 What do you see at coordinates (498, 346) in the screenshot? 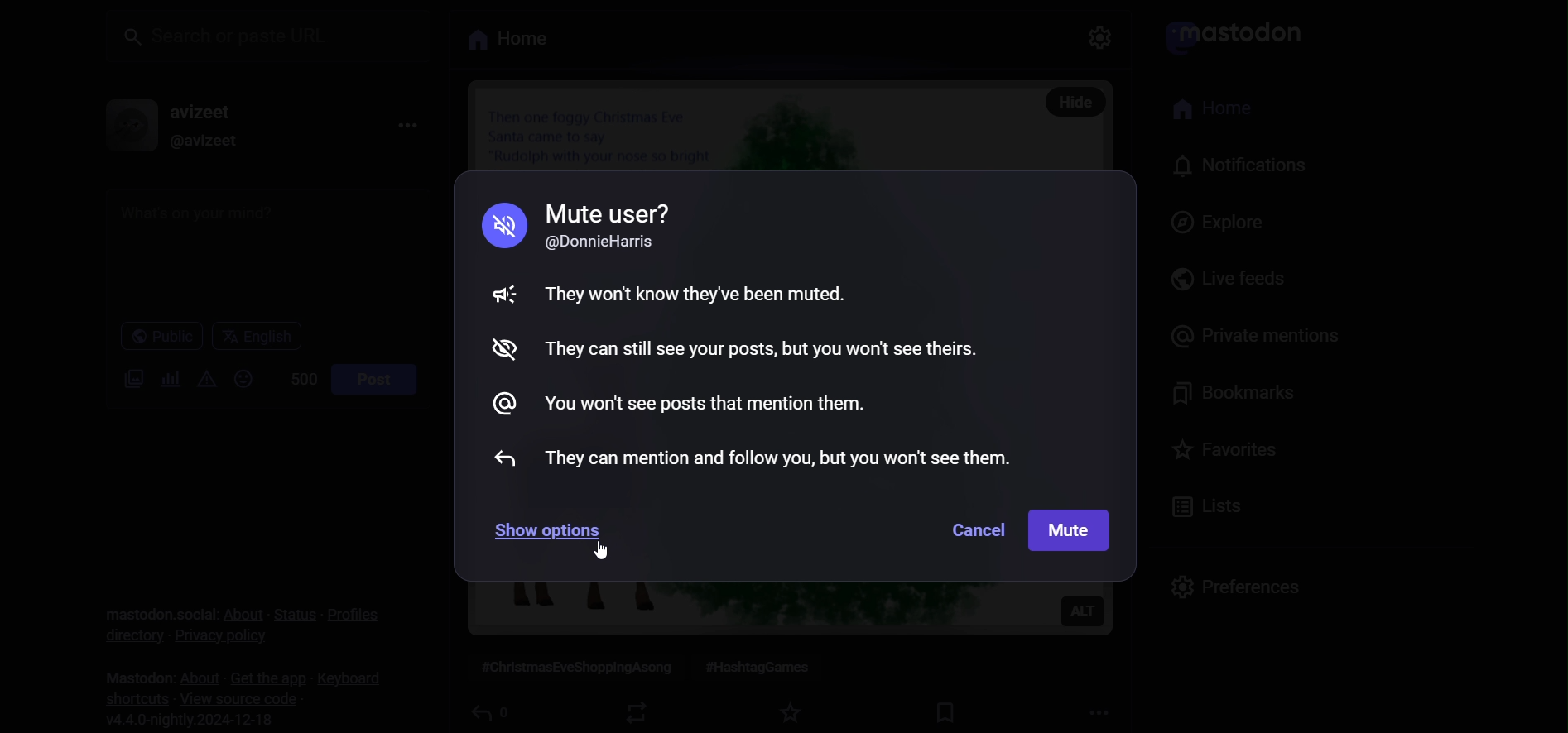
I see `hide` at bounding box center [498, 346].